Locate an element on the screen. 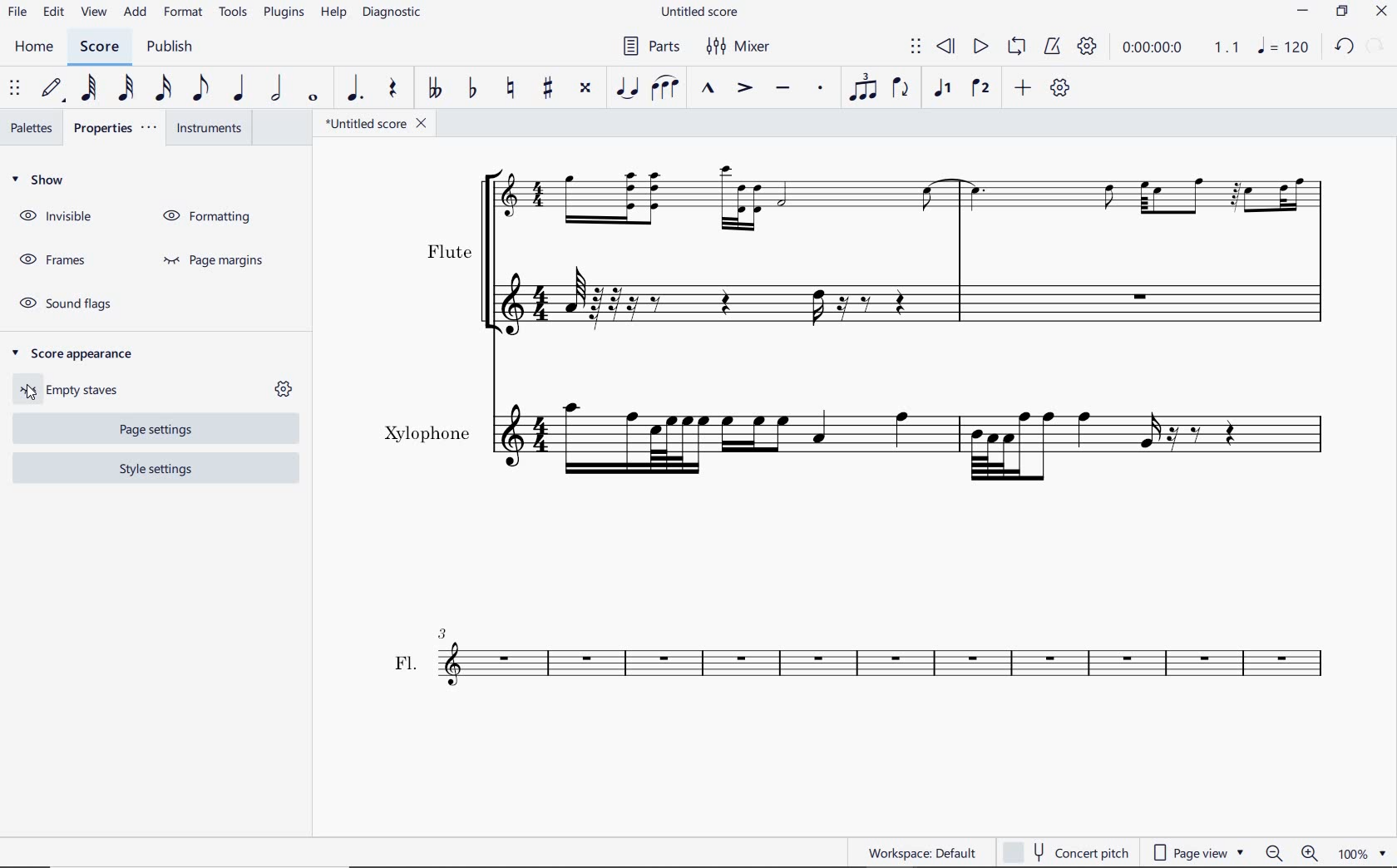  zoom out or zoom in is located at coordinates (1292, 853).